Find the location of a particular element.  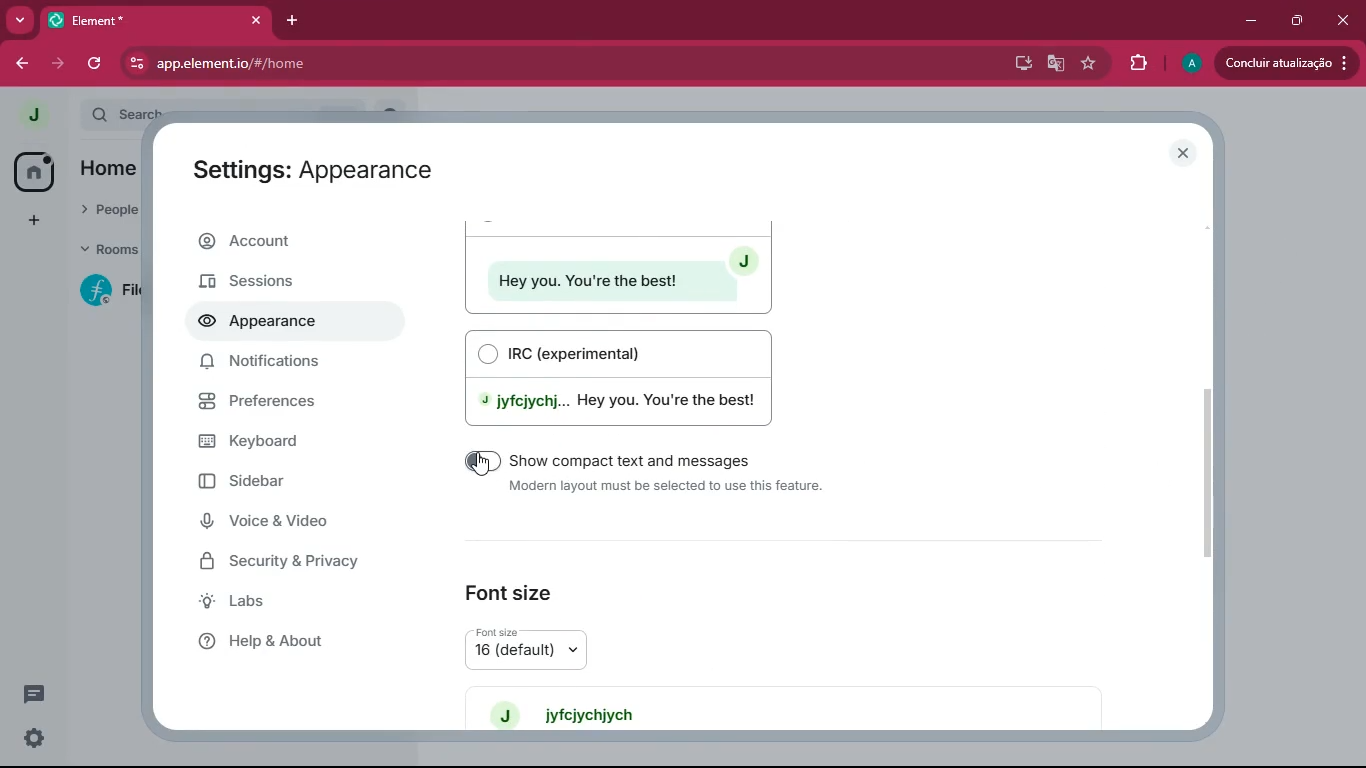

Element* is located at coordinates (139, 21).